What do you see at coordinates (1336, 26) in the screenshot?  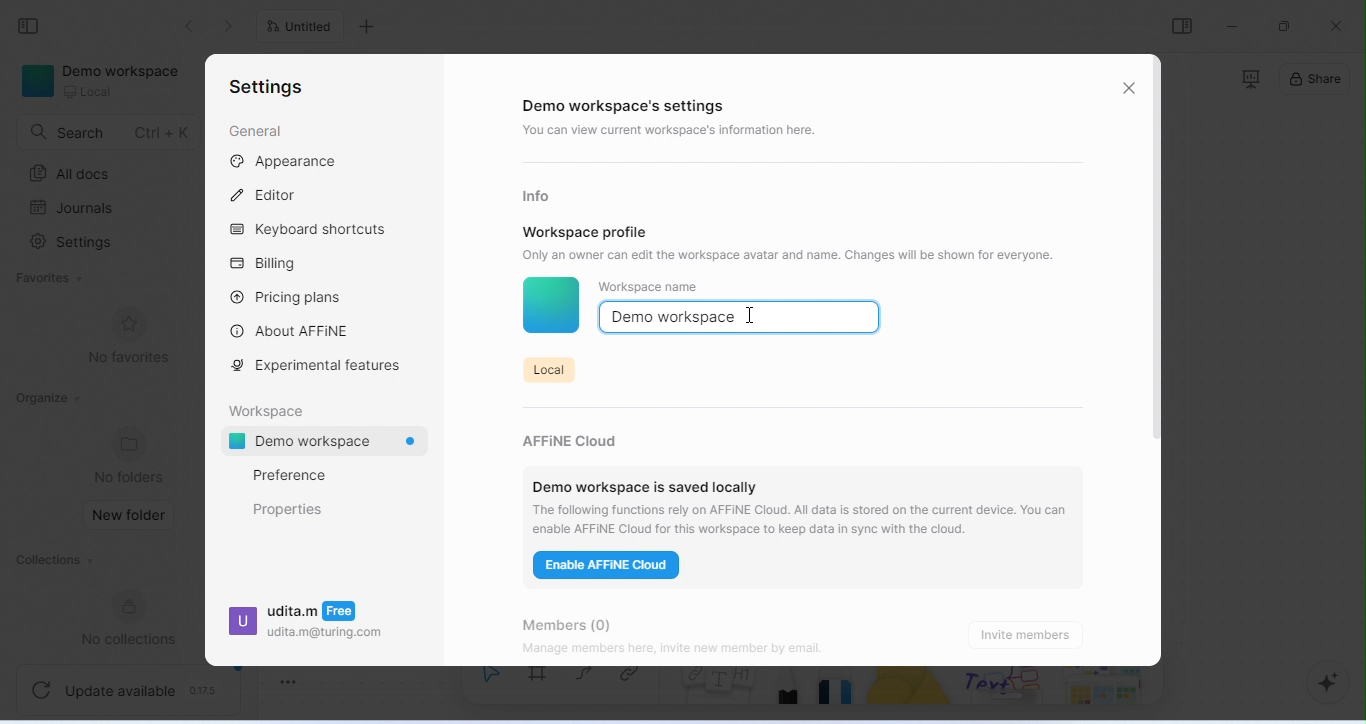 I see `close` at bounding box center [1336, 26].